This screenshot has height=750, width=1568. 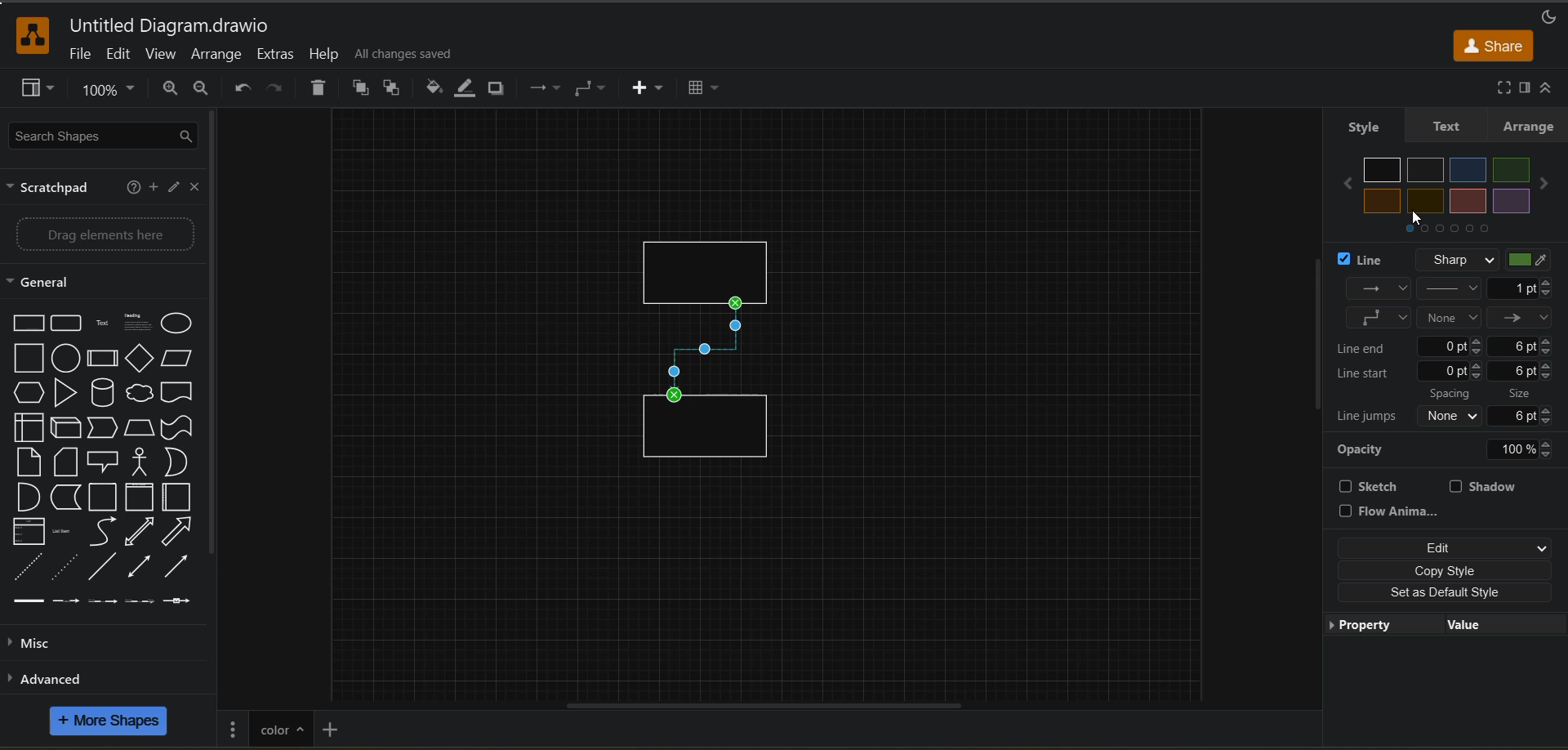 What do you see at coordinates (140, 359) in the screenshot?
I see `Diamond` at bounding box center [140, 359].